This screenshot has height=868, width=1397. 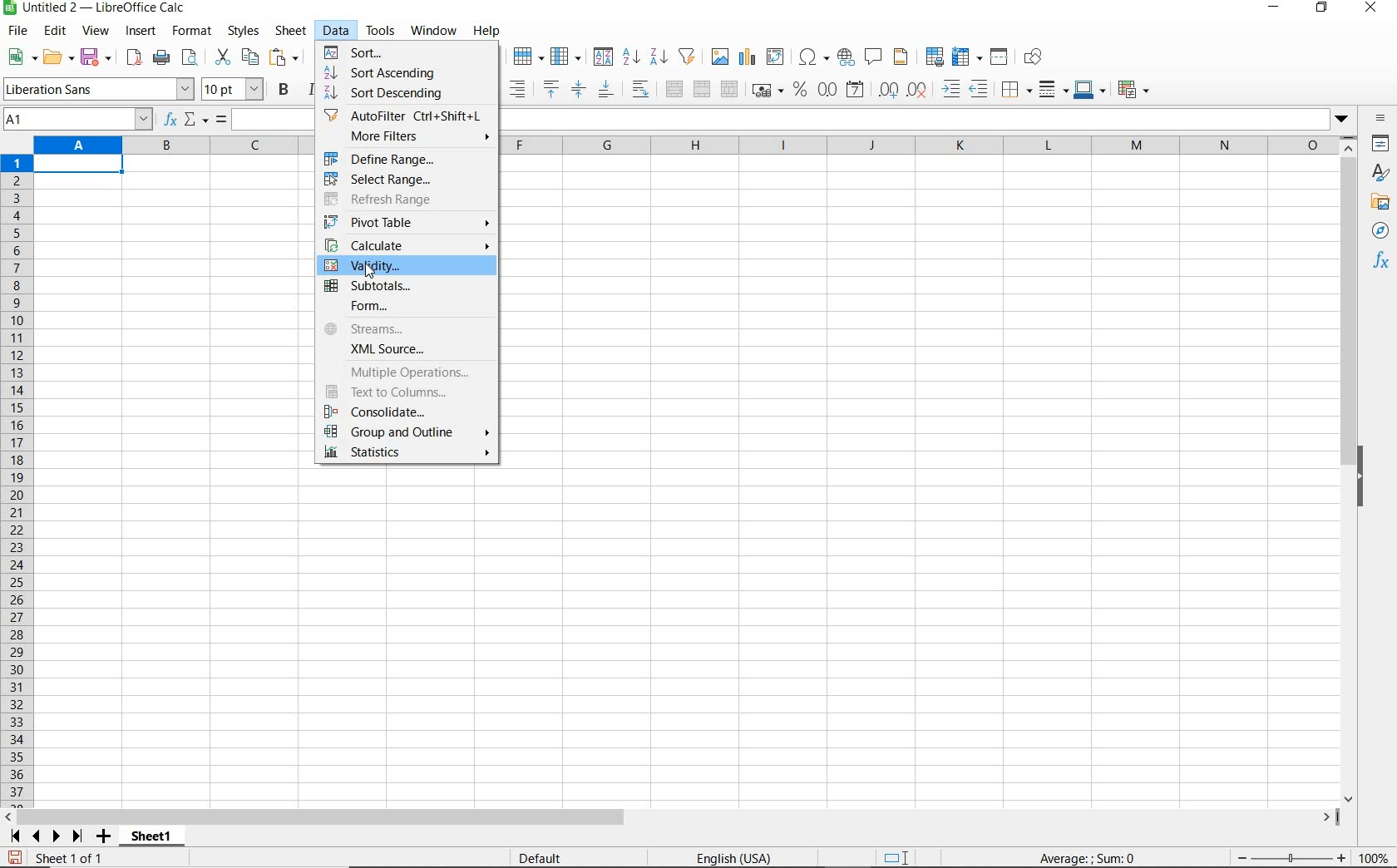 What do you see at coordinates (686, 57) in the screenshot?
I see `autofilter` at bounding box center [686, 57].